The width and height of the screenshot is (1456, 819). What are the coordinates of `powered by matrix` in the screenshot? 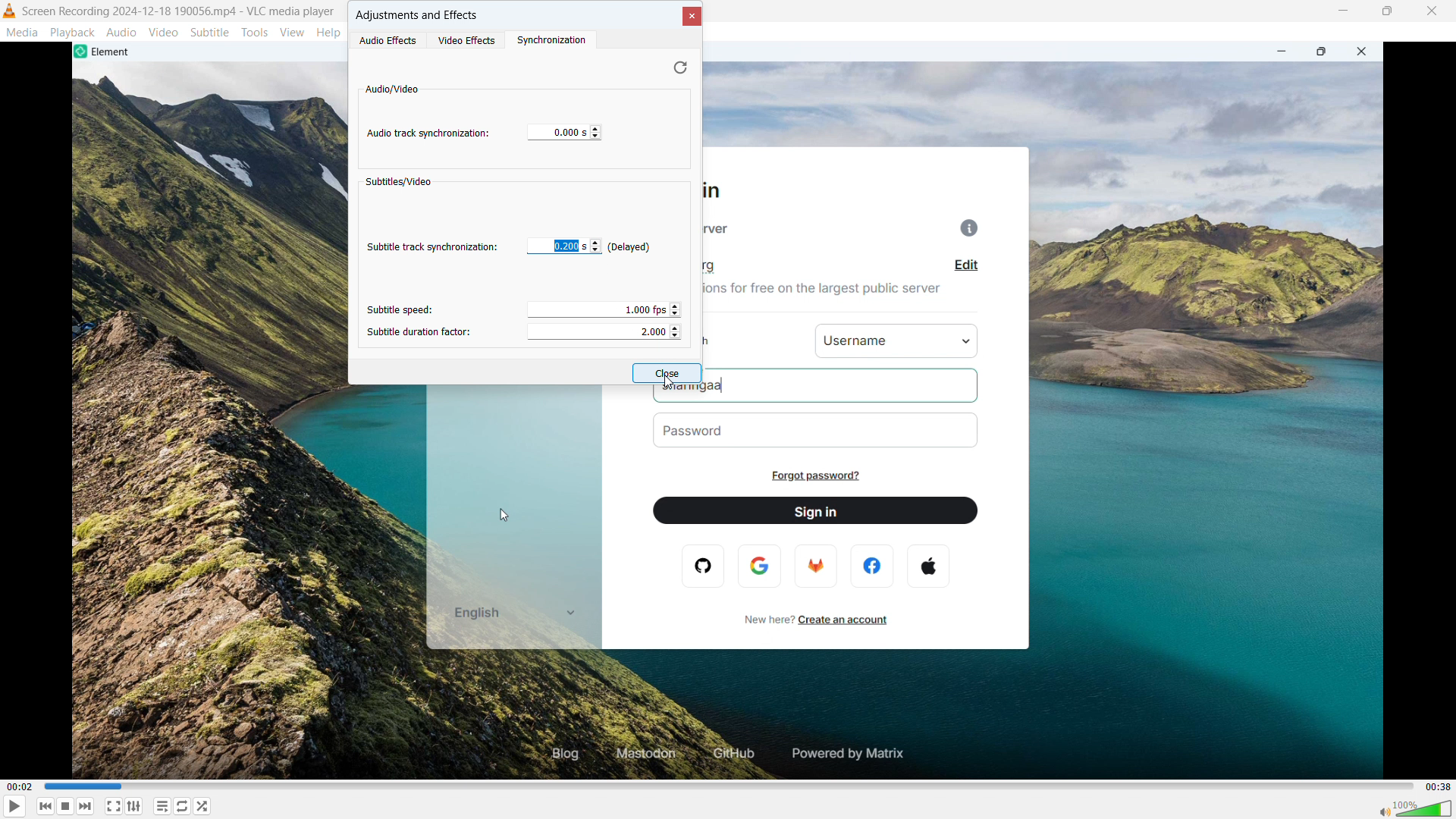 It's located at (847, 753).